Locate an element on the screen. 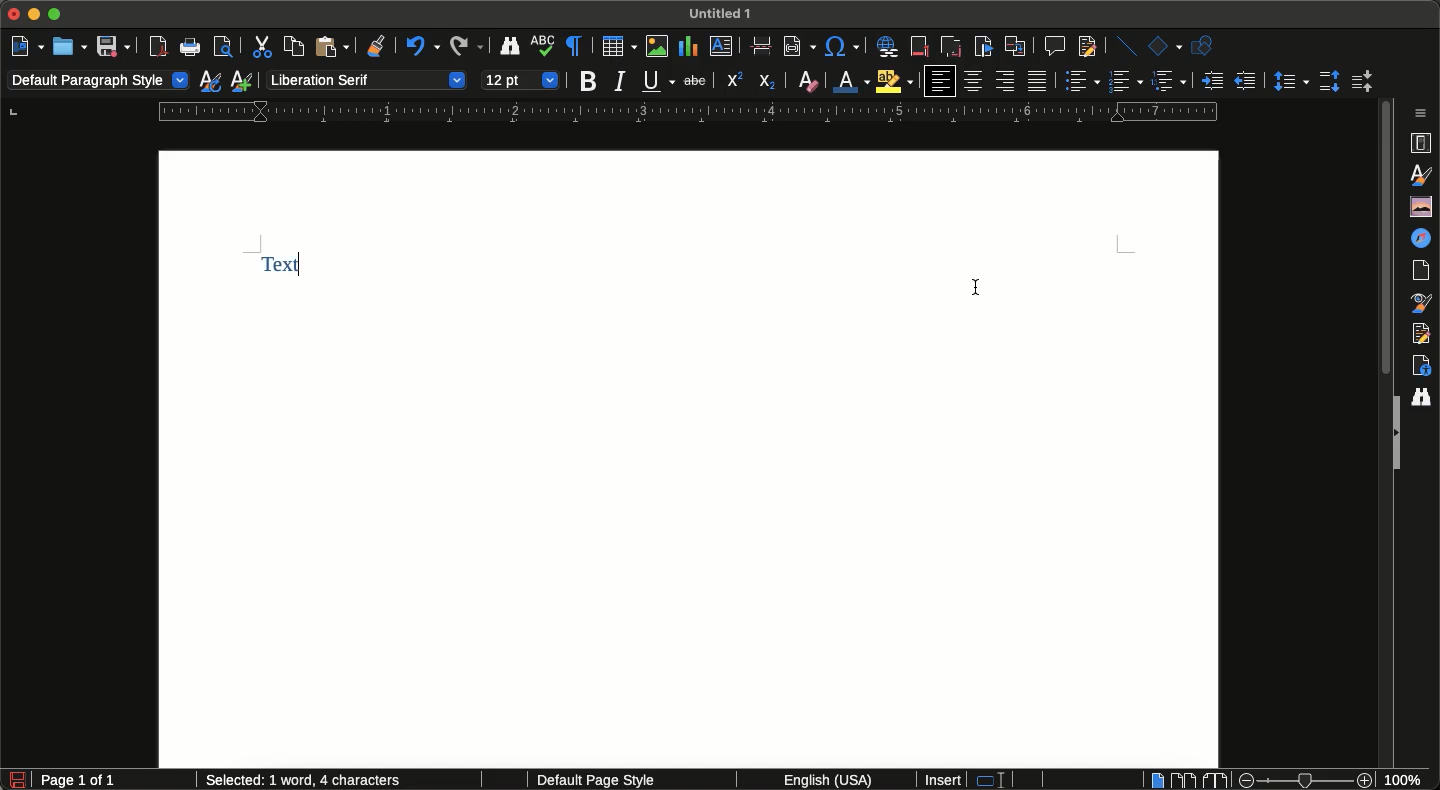  Bold is located at coordinates (589, 82).